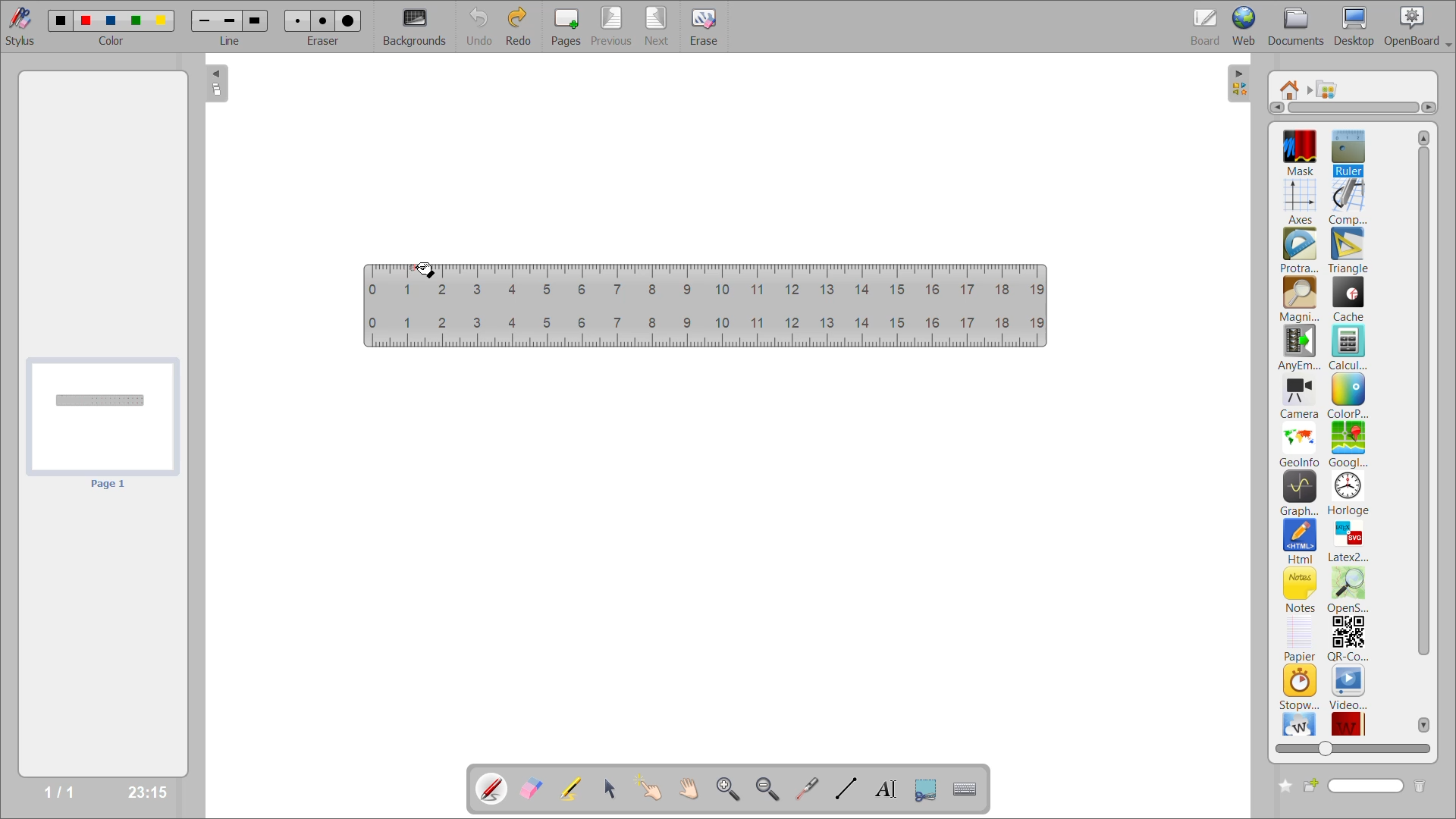 This screenshot has height=819, width=1456. What do you see at coordinates (1349, 299) in the screenshot?
I see `cache` at bounding box center [1349, 299].